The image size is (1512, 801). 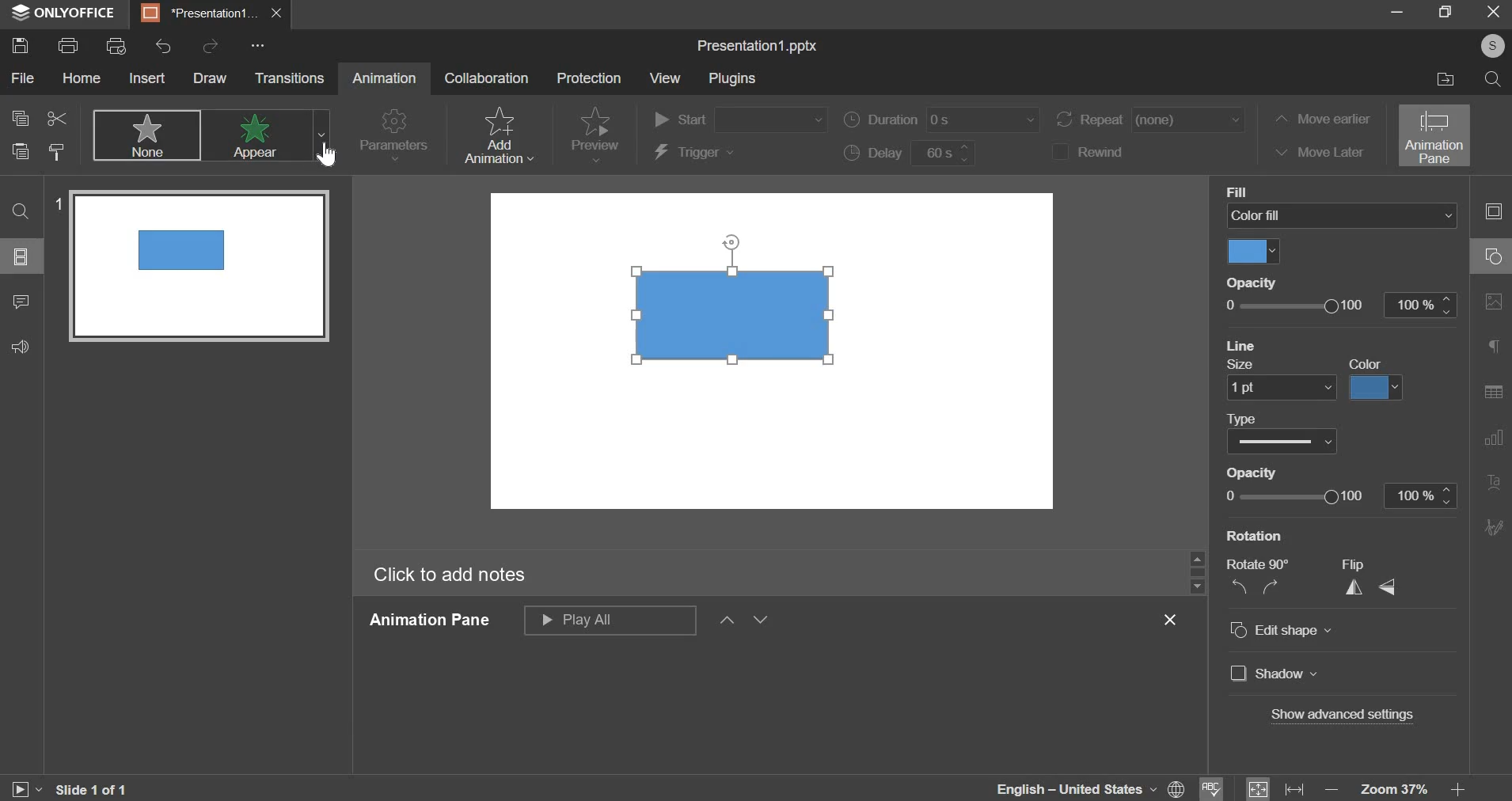 What do you see at coordinates (1493, 257) in the screenshot?
I see `slide layout` at bounding box center [1493, 257].